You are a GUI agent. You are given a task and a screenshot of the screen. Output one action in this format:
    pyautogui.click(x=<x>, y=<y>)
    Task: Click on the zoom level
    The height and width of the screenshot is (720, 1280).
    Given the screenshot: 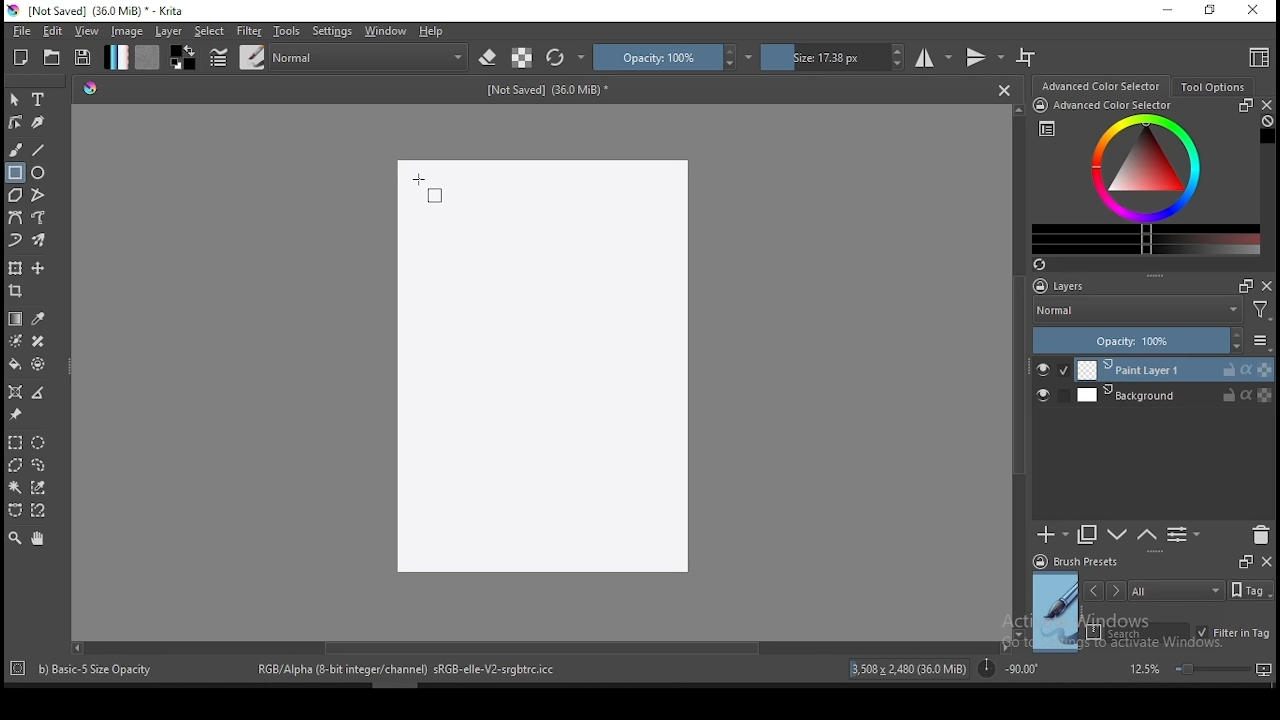 What is the action you would take?
    pyautogui.click(x=1200, y=668)
    